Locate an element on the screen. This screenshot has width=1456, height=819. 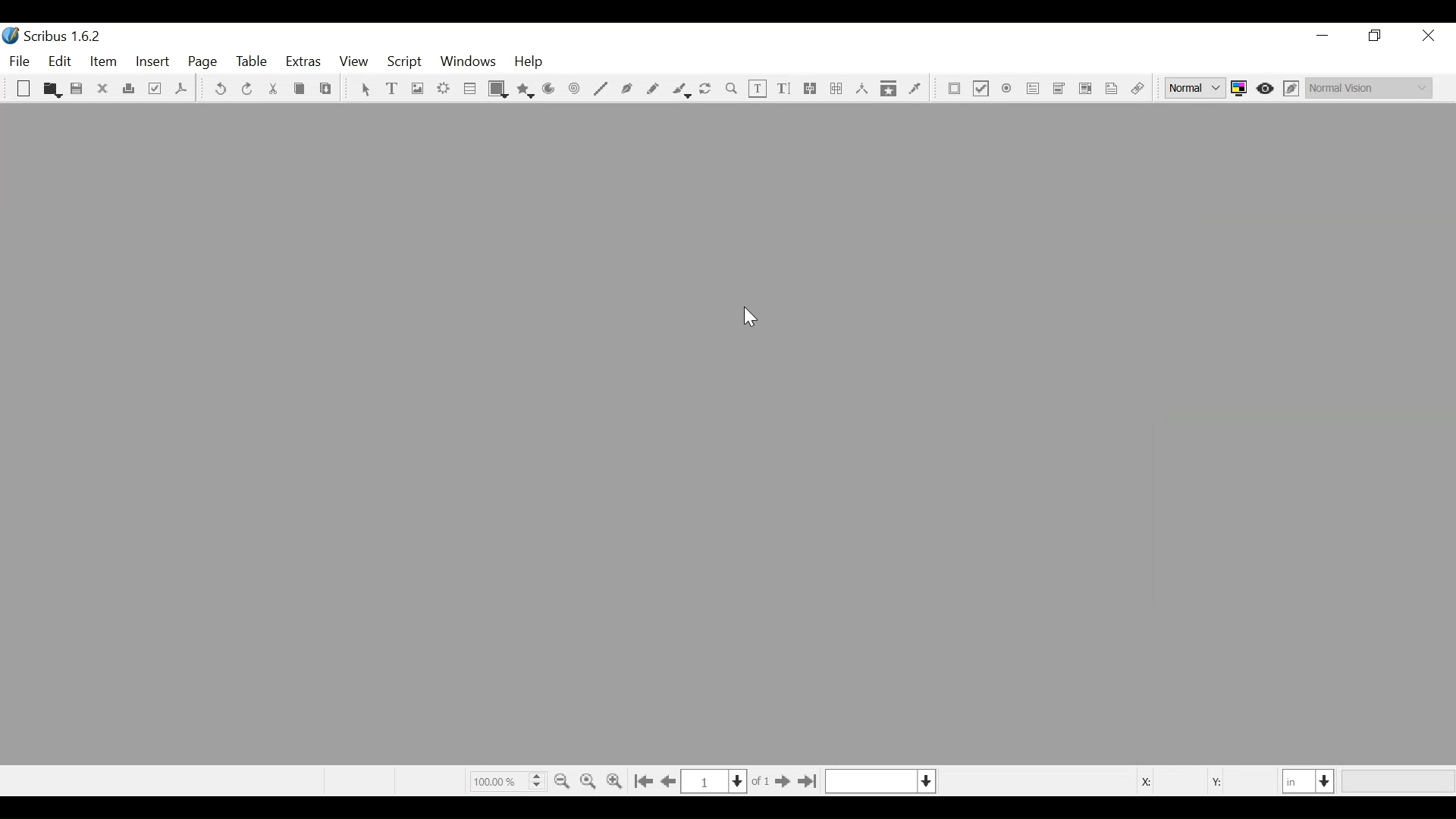
Shape is located at coordinates (499, 89).